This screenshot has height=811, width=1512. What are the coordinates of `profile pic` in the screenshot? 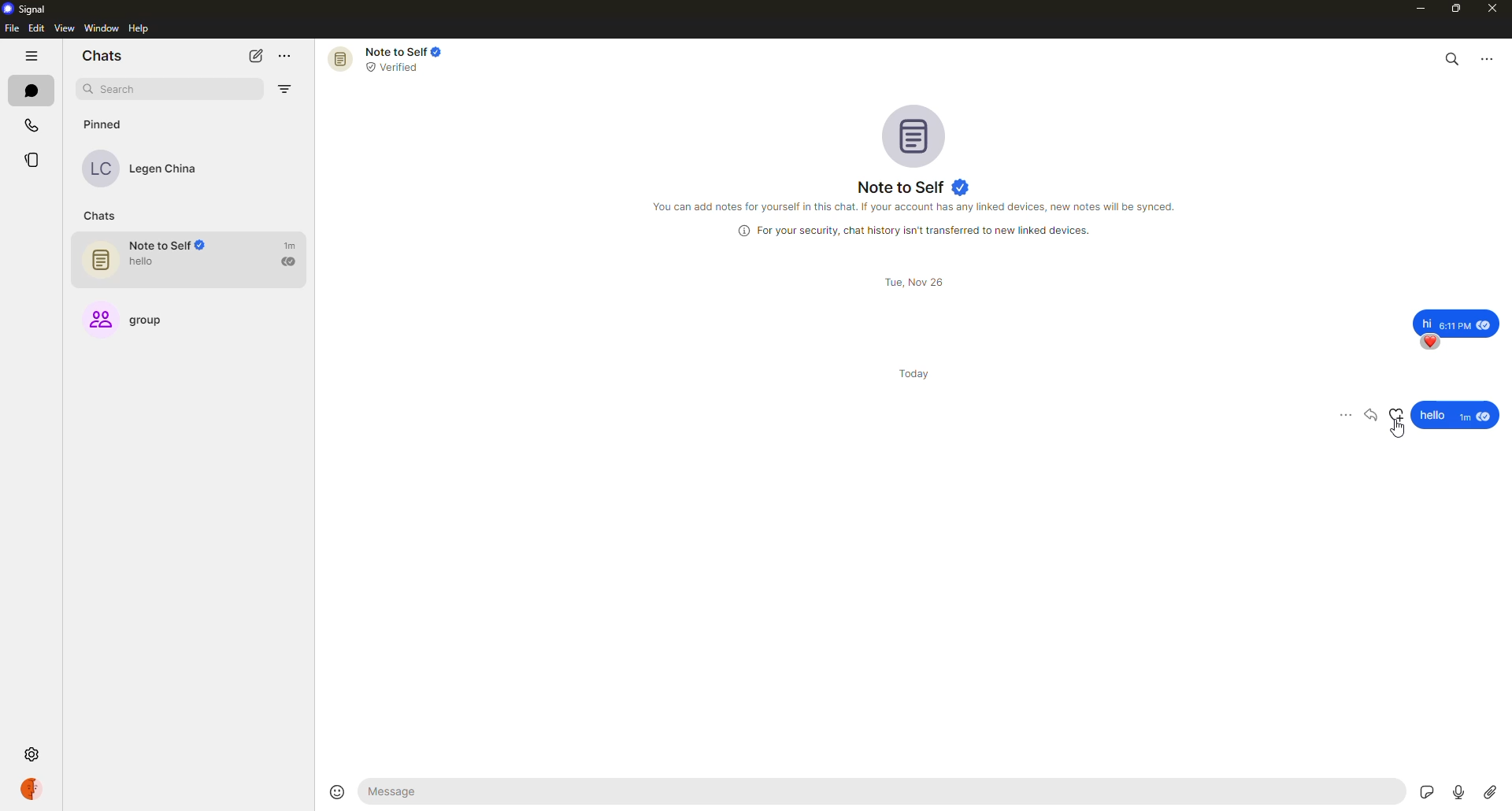 It's located at (918, 135).